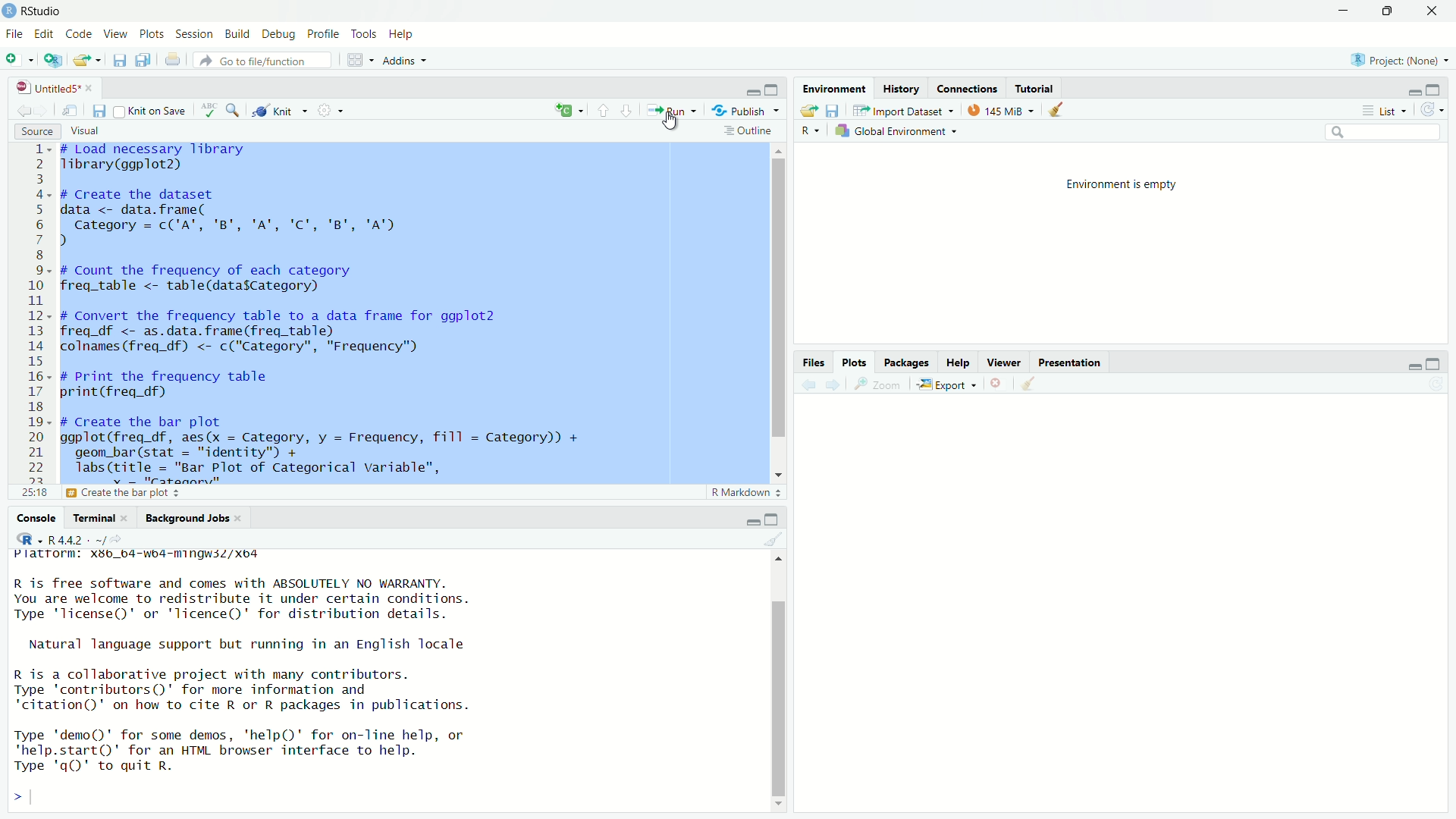  What do you see at coordinates (1389, 111) in the screenshot?
I see `list` at bounding box center [1389, 111].